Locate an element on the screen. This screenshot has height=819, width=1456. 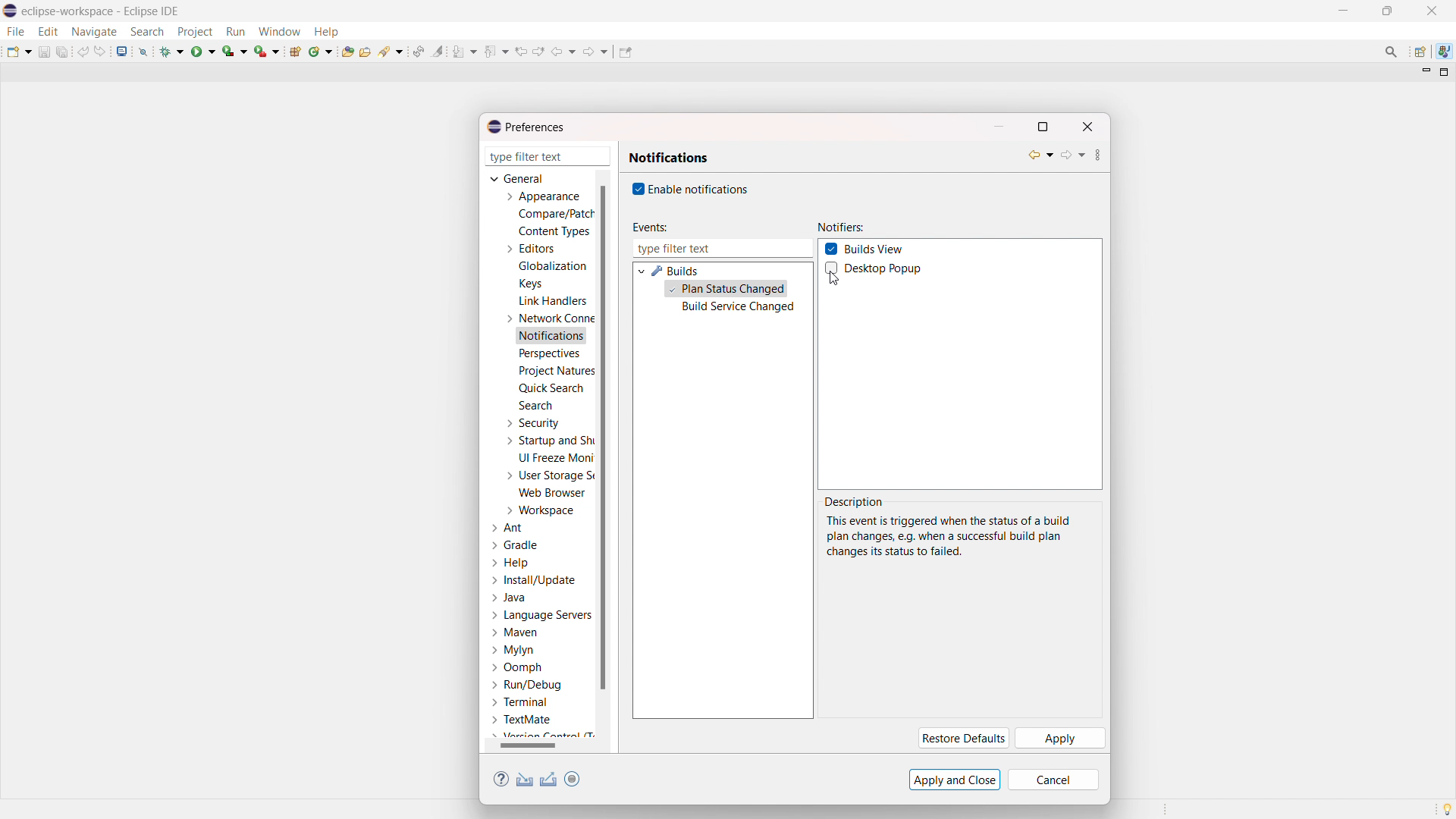
open type is located at coordinates (347, 50).